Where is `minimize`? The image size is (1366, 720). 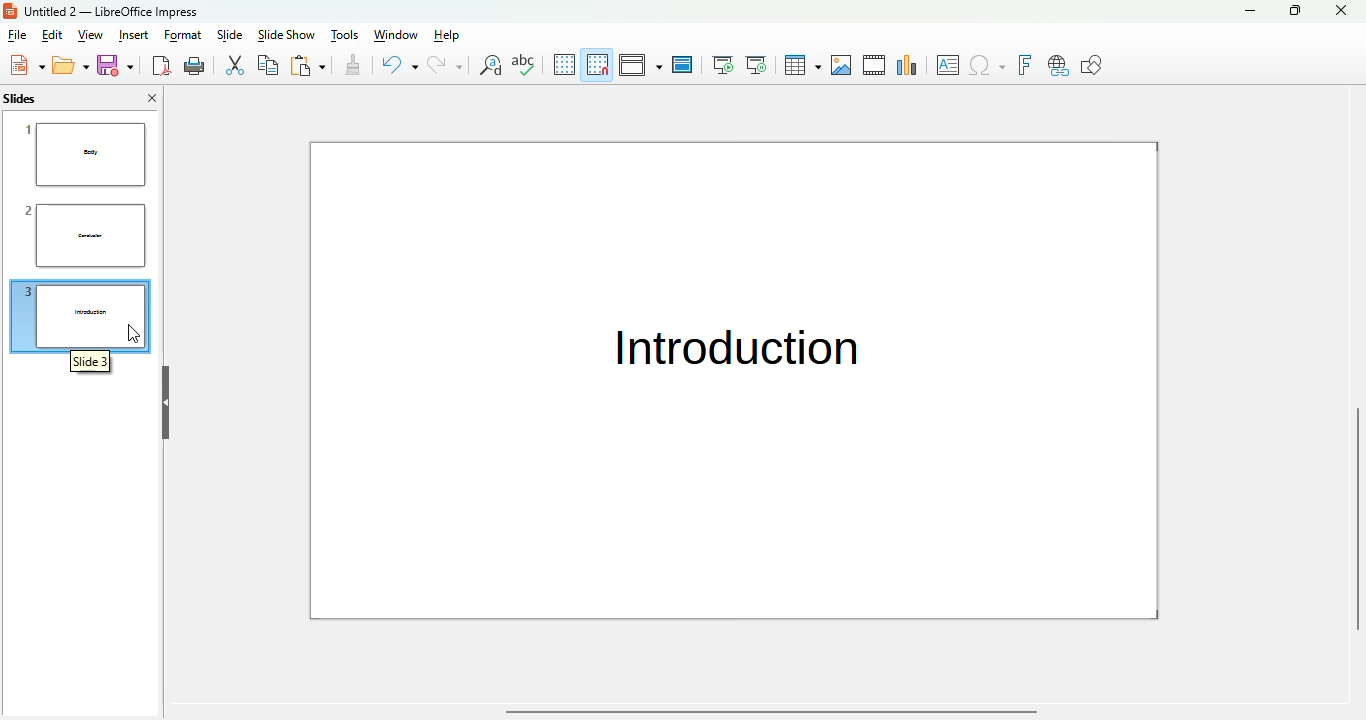 minimize is located at coordinates (1249, 10).